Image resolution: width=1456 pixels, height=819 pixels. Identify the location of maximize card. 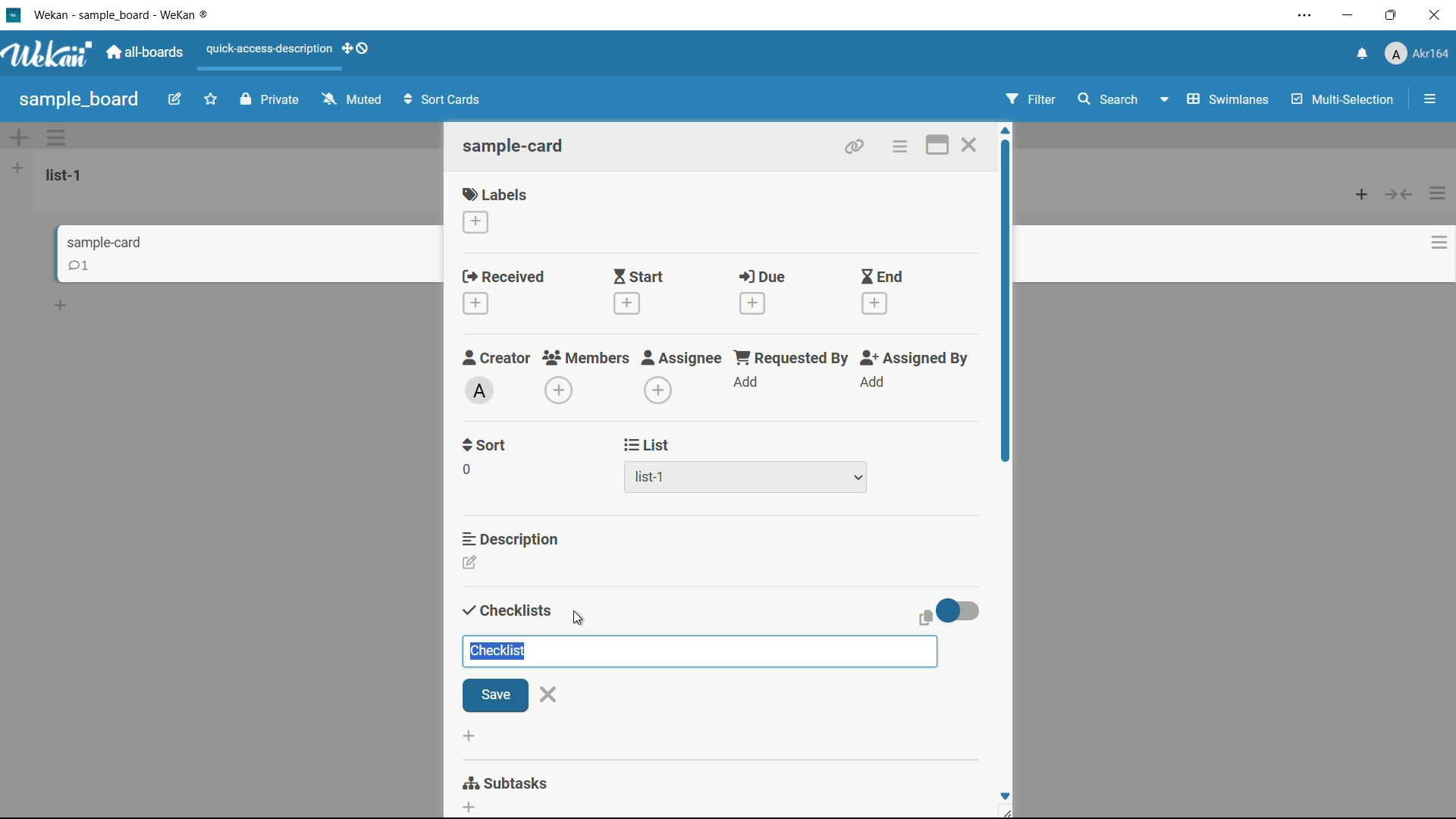
(937, 145).